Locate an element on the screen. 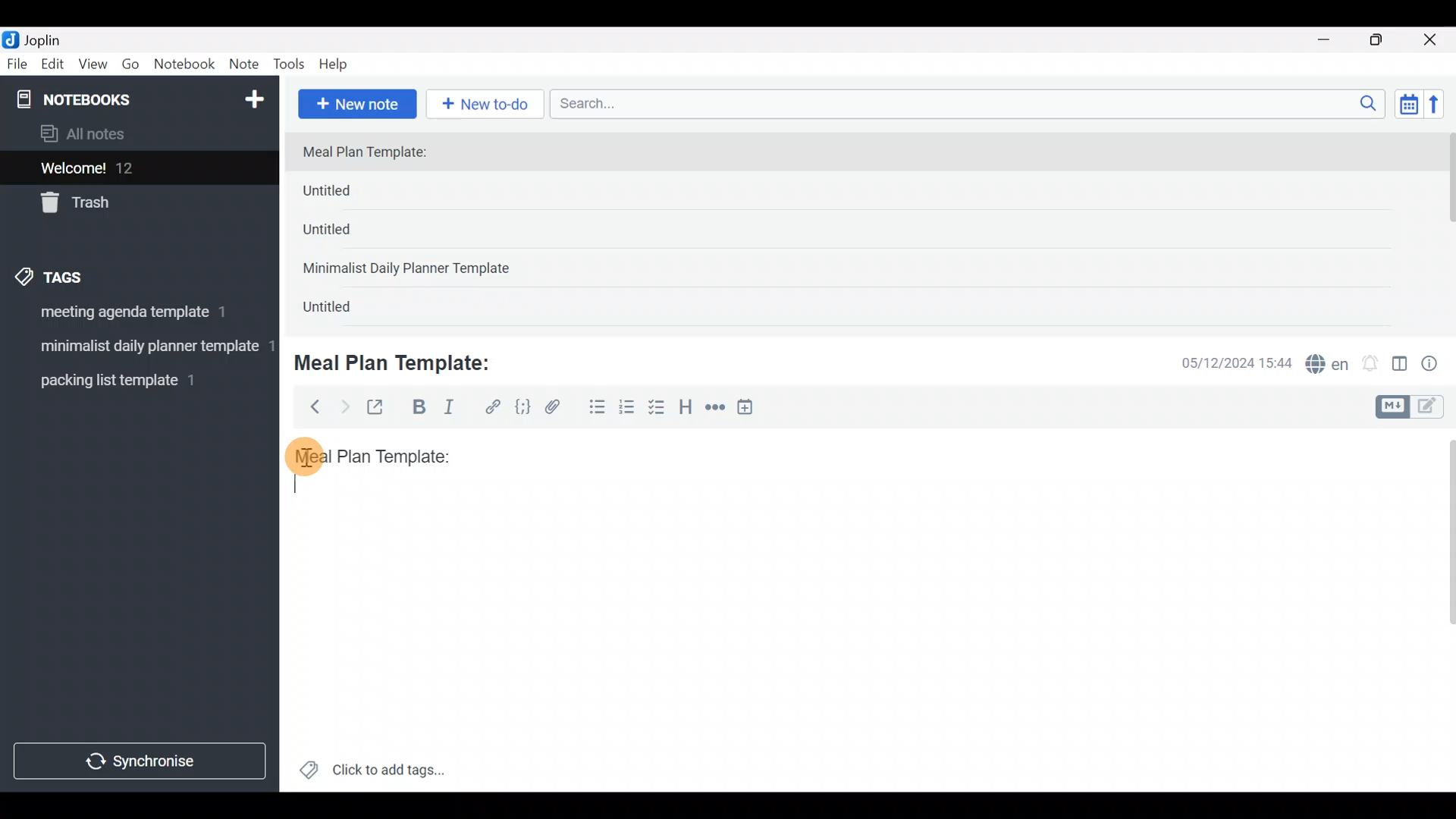 This screenshot has width=1456, height=819. Meal Plan Template: is located at coordinates (402, 361).